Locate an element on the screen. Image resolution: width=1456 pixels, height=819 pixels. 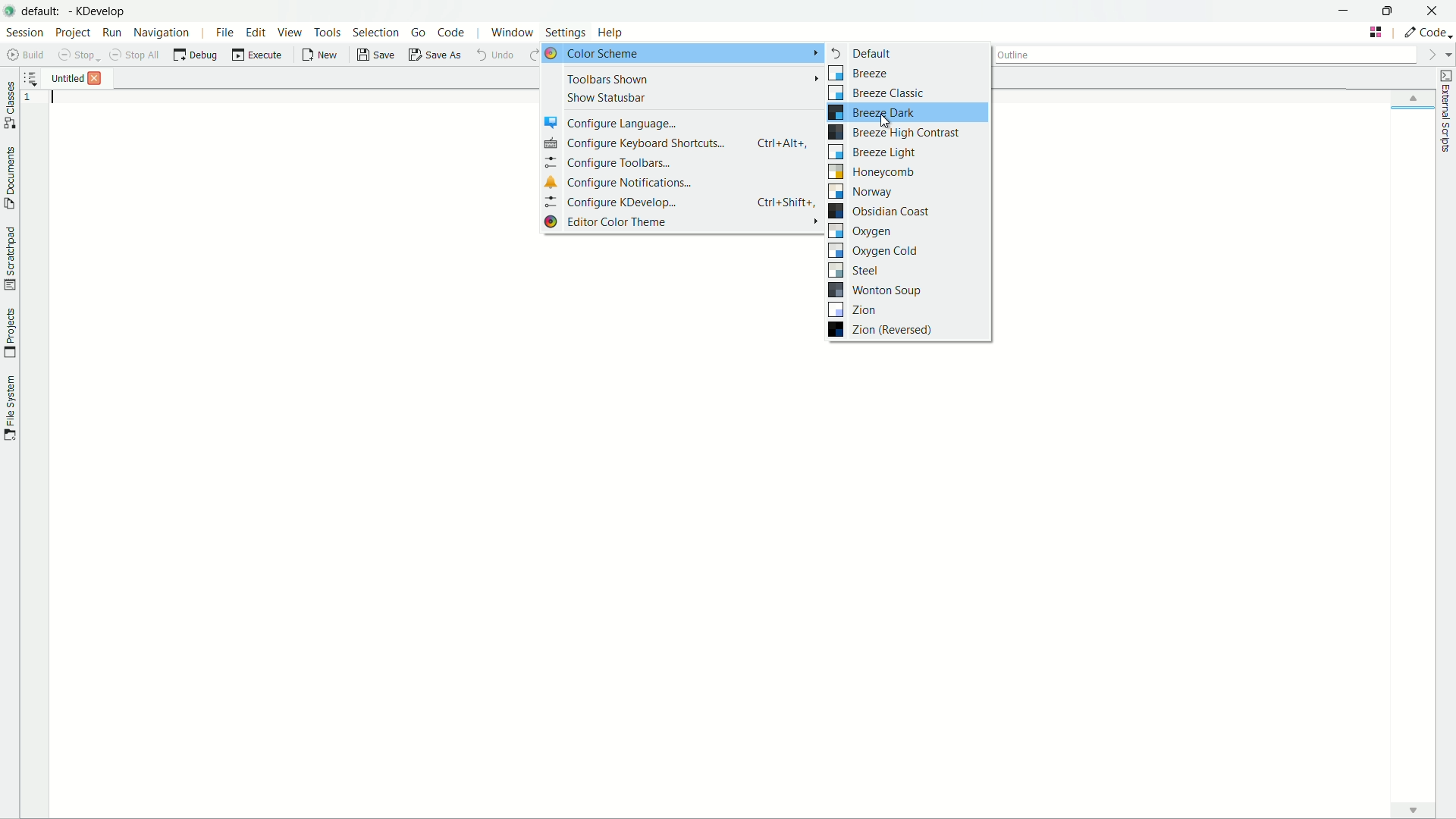
Breeze dark is located at coordinates (892, 113).